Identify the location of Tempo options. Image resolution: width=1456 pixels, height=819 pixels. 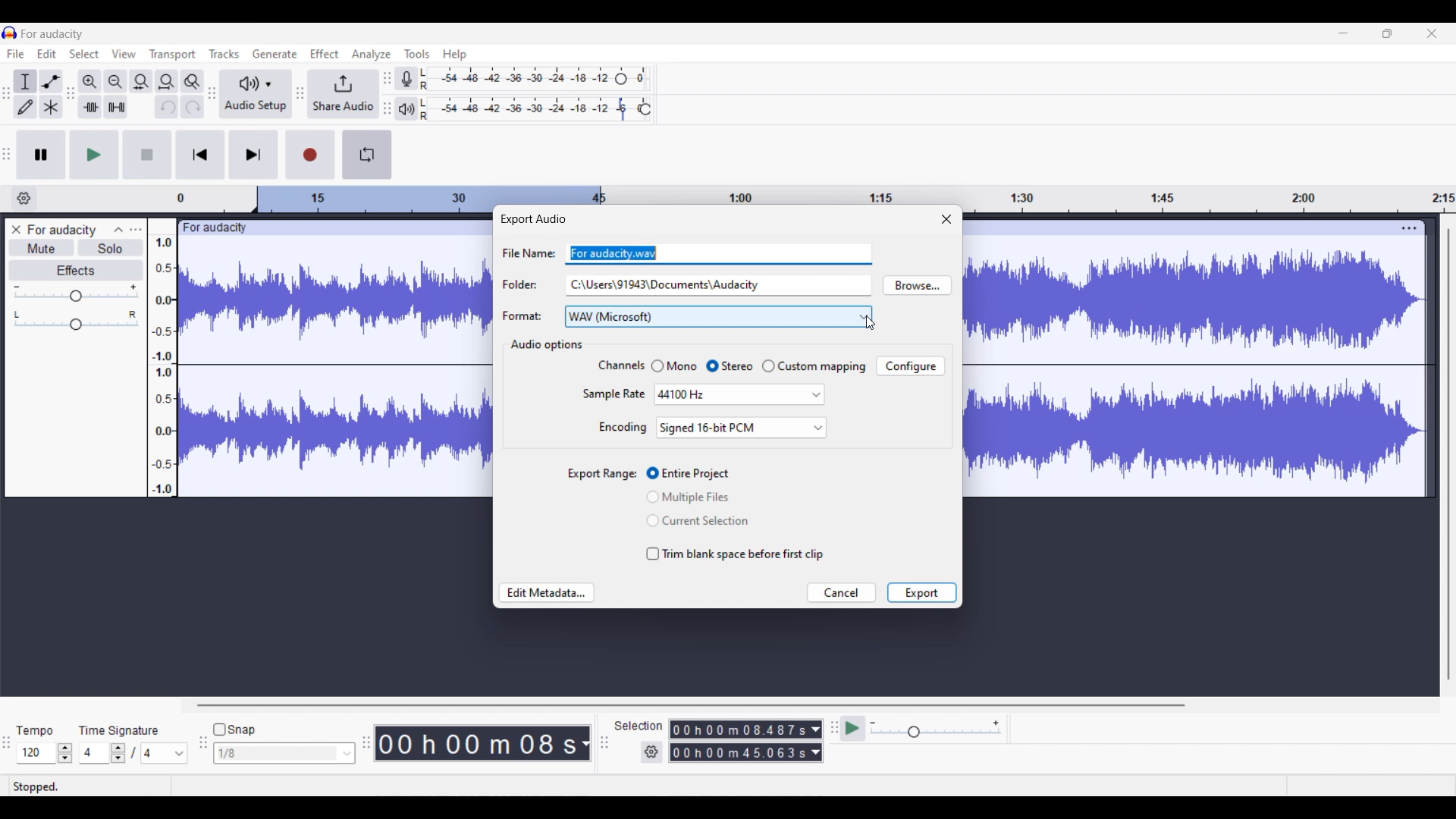
(34, 753).